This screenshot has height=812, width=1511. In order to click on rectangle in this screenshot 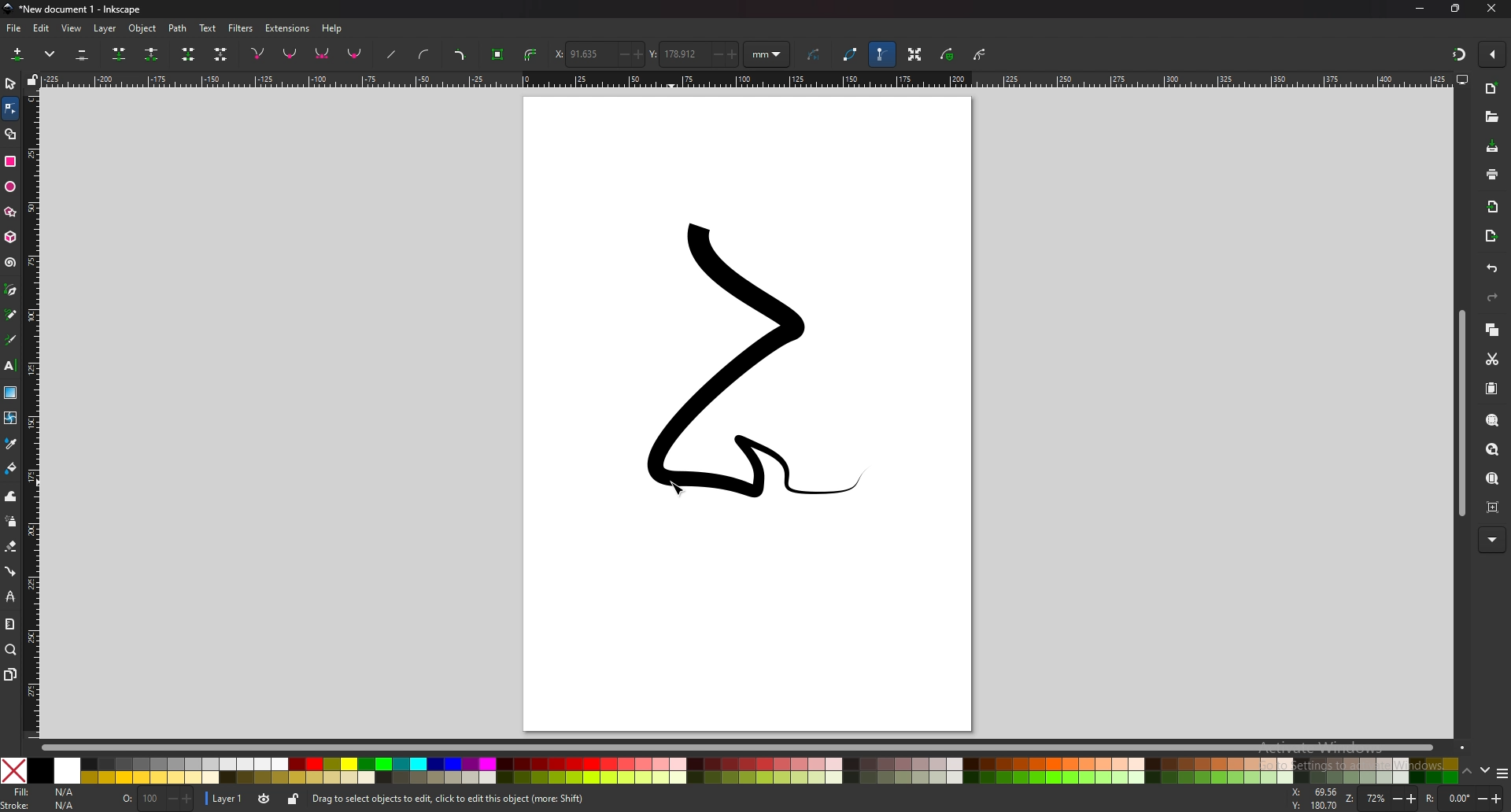, I will do `click(12, 162)`.